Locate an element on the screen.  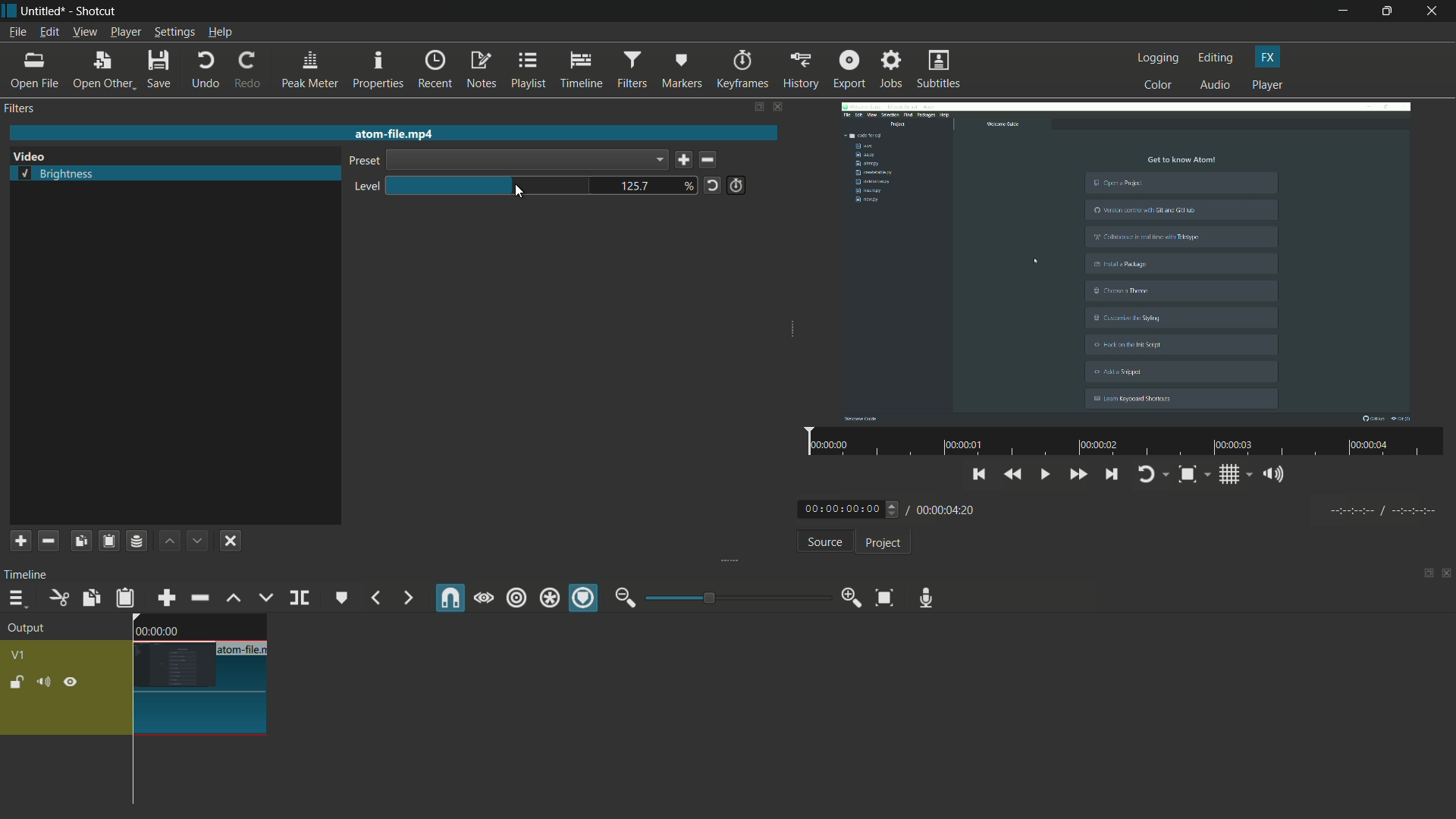
cut is located at coordinates (58, 598).